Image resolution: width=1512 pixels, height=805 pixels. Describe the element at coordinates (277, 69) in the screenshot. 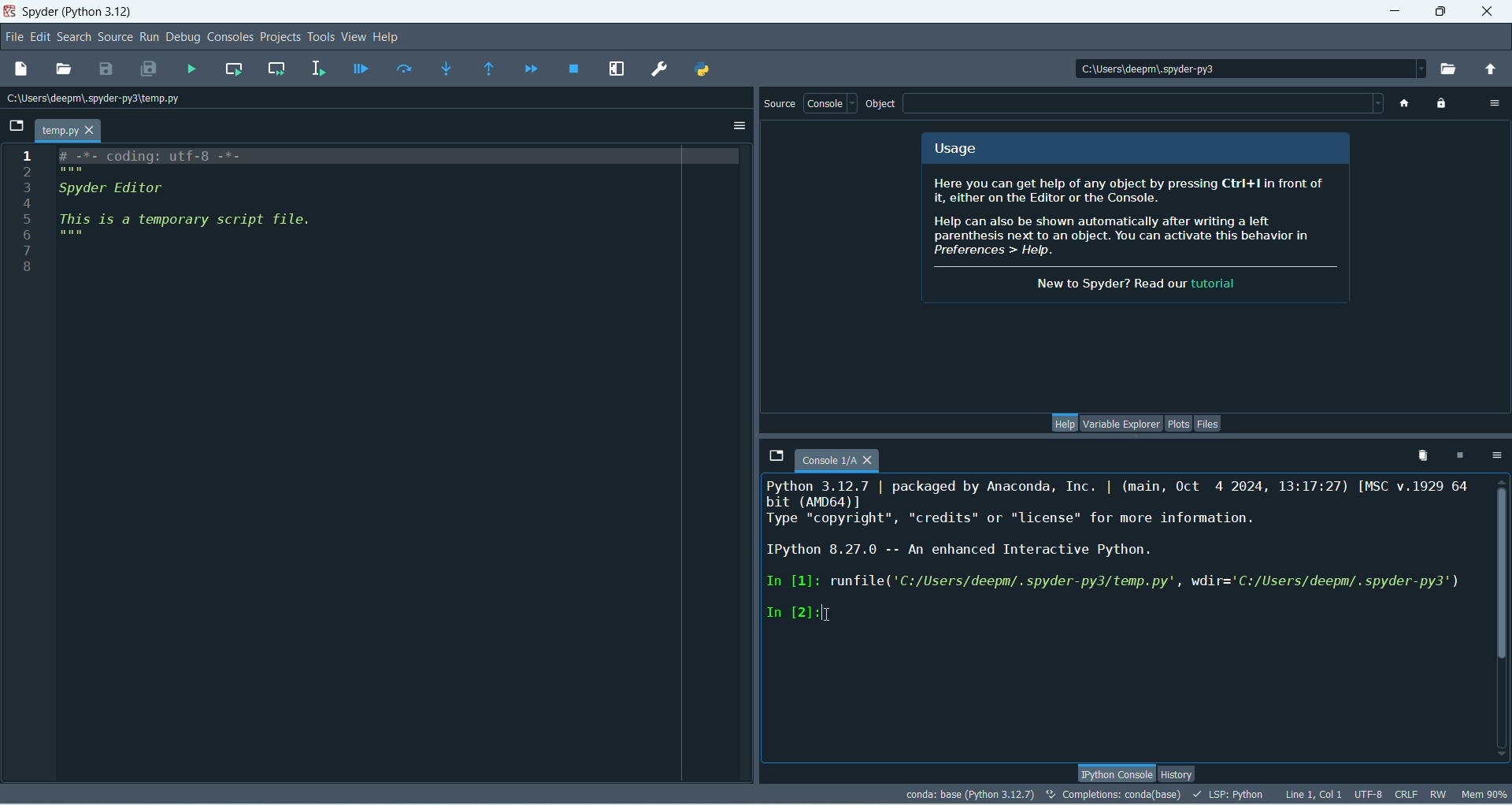

I see `run current cell and go to next one` at that location.